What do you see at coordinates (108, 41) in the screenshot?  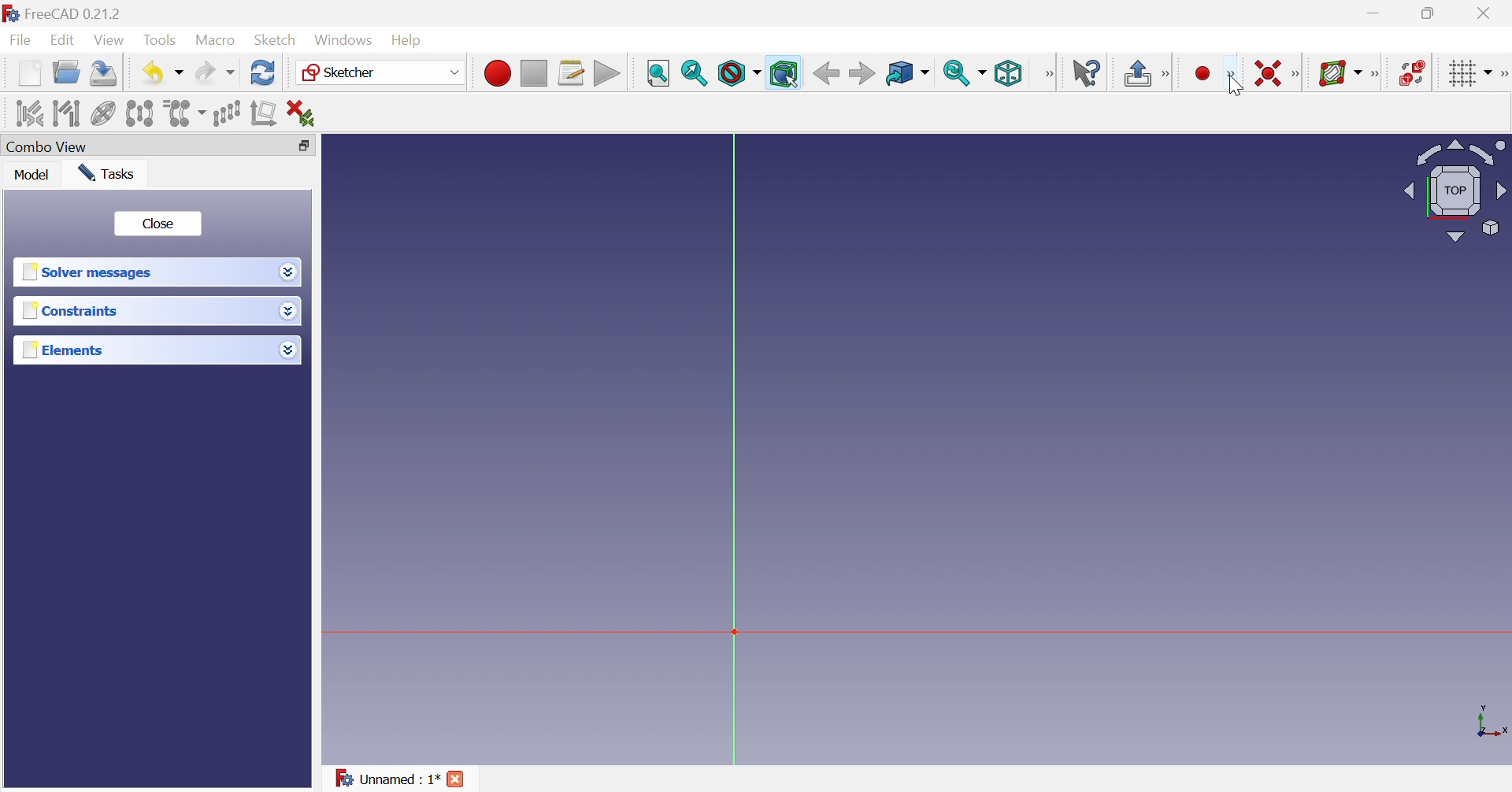 I see `View` at bounding box center [108, 41].